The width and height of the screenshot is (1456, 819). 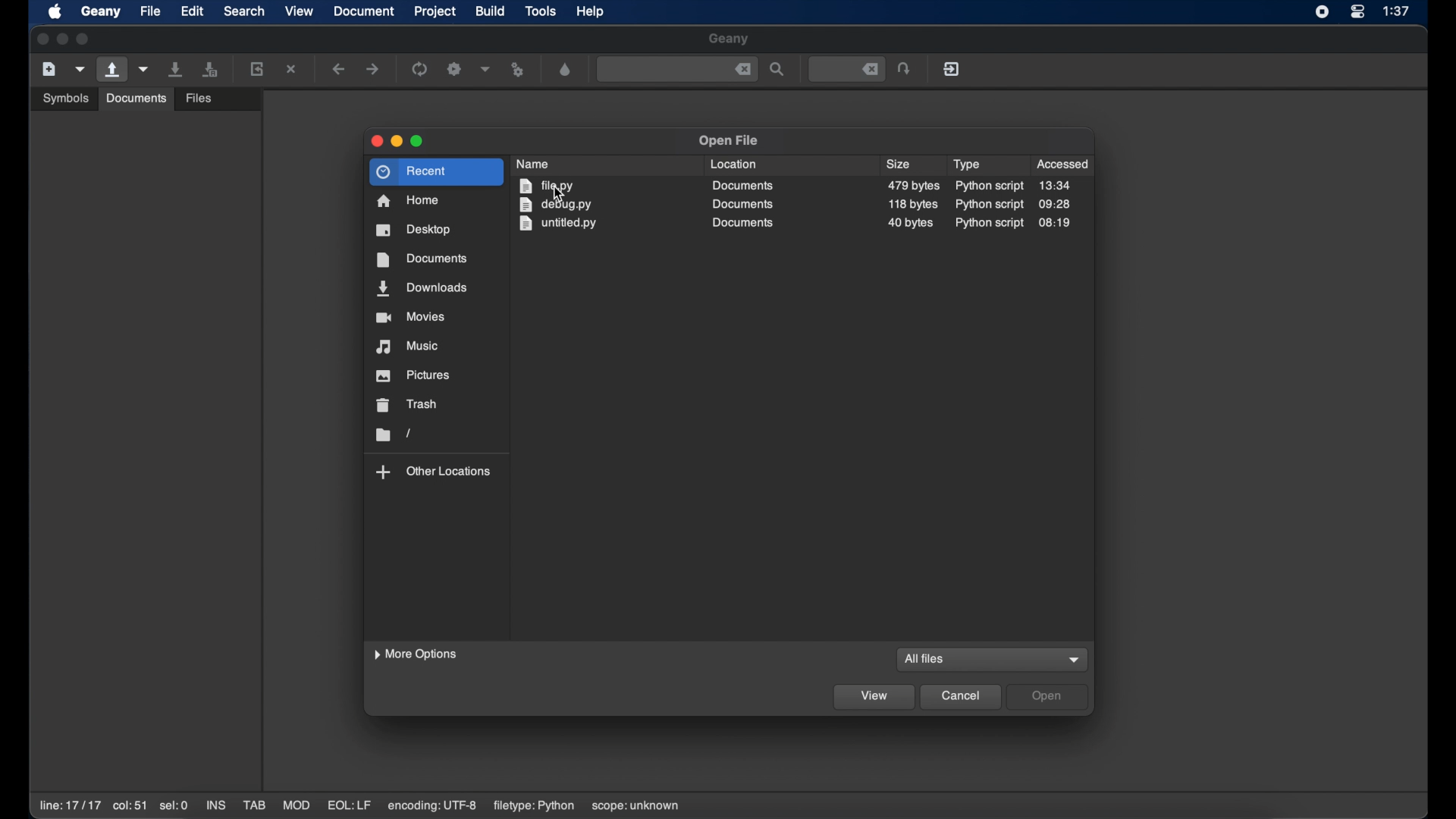 I want to click on close, so click(x=41, y=39).